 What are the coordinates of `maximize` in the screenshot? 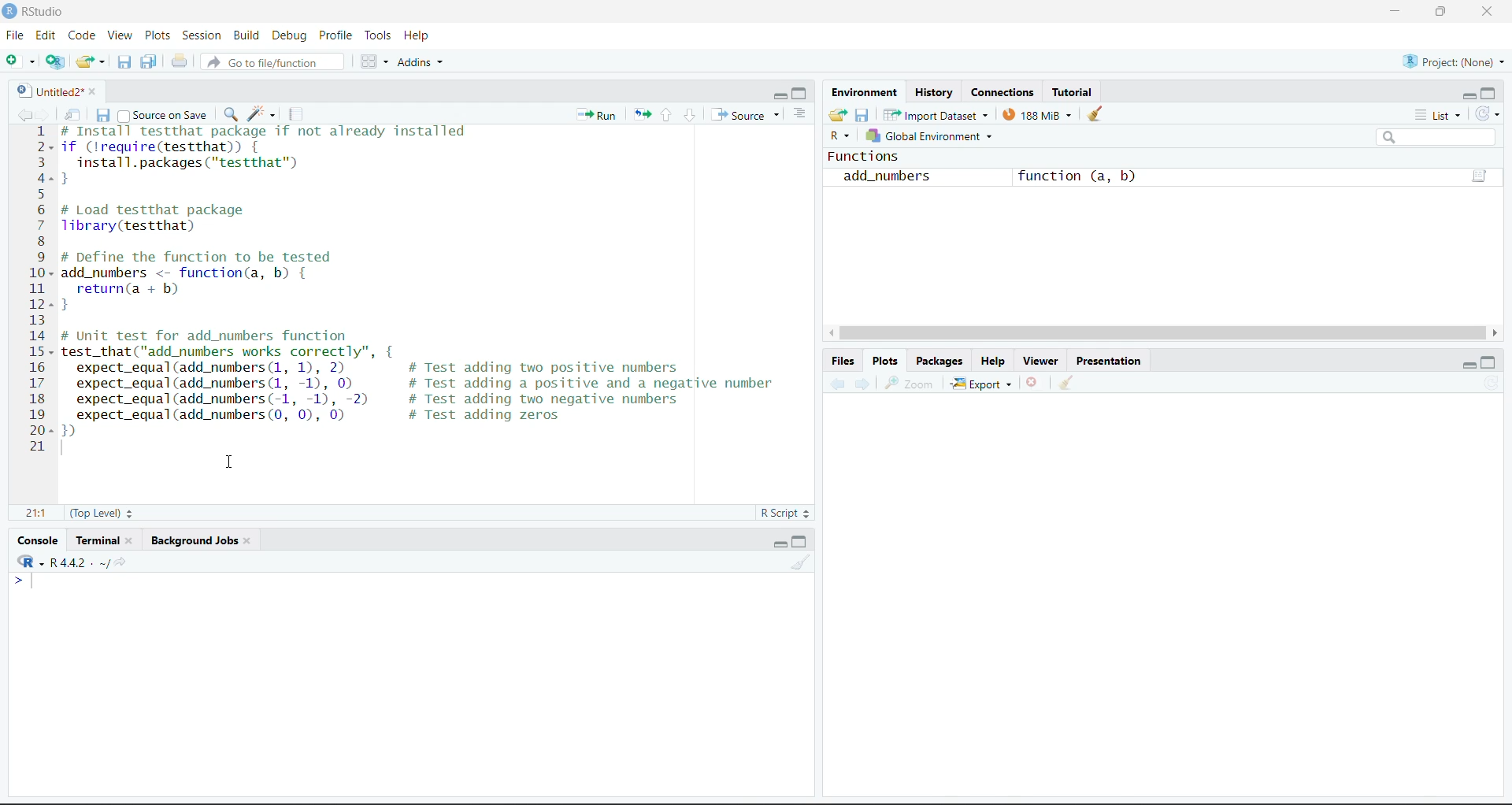 It's located at (1490, 363).